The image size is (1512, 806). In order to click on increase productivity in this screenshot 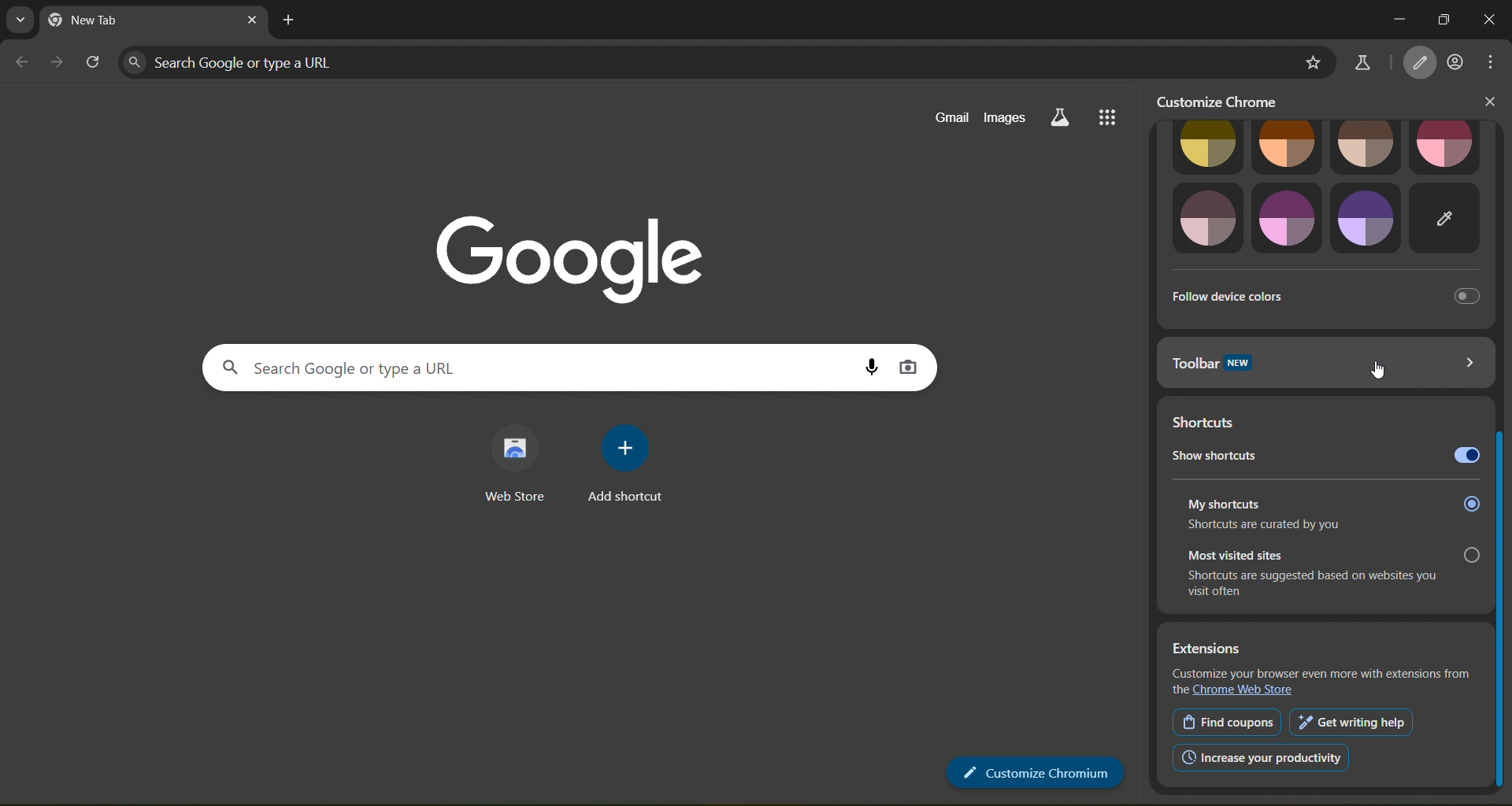, I will do `click(1265, 758)`.